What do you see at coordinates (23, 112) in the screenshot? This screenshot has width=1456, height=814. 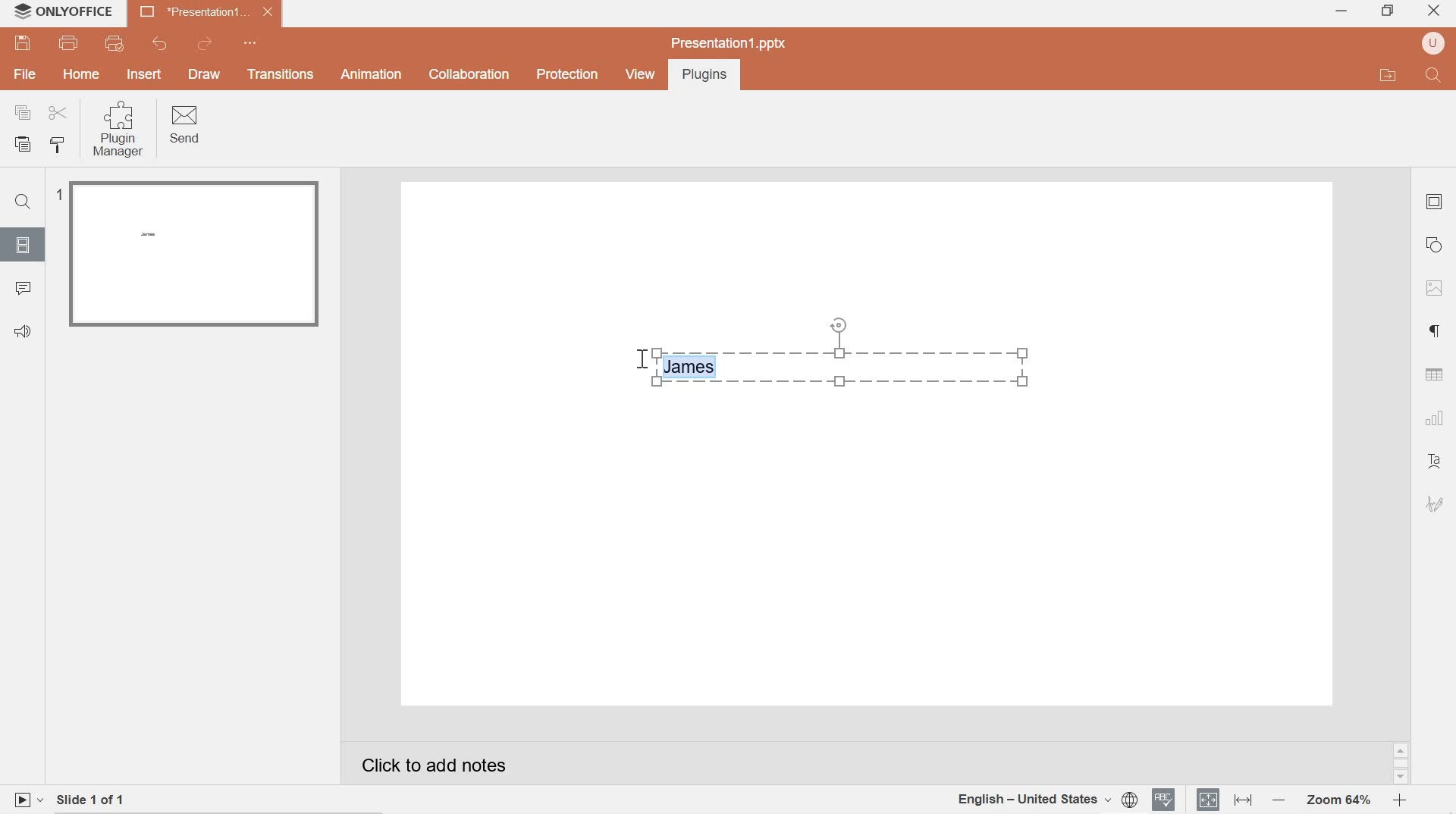 I see `copy` at bounding box center [23, 112].